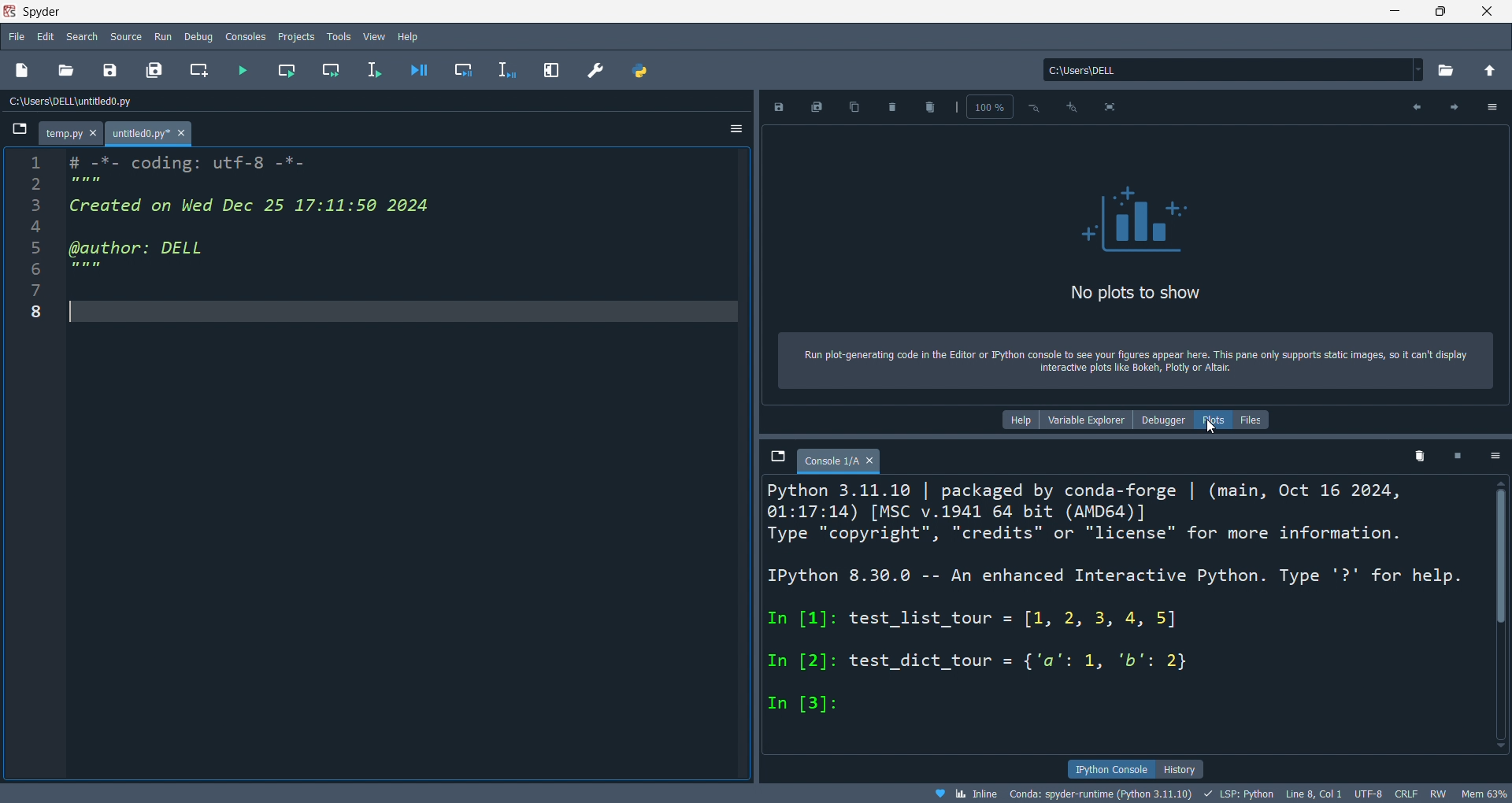 The image size is (1512, 803). I want to click on help, so click(411, 35).